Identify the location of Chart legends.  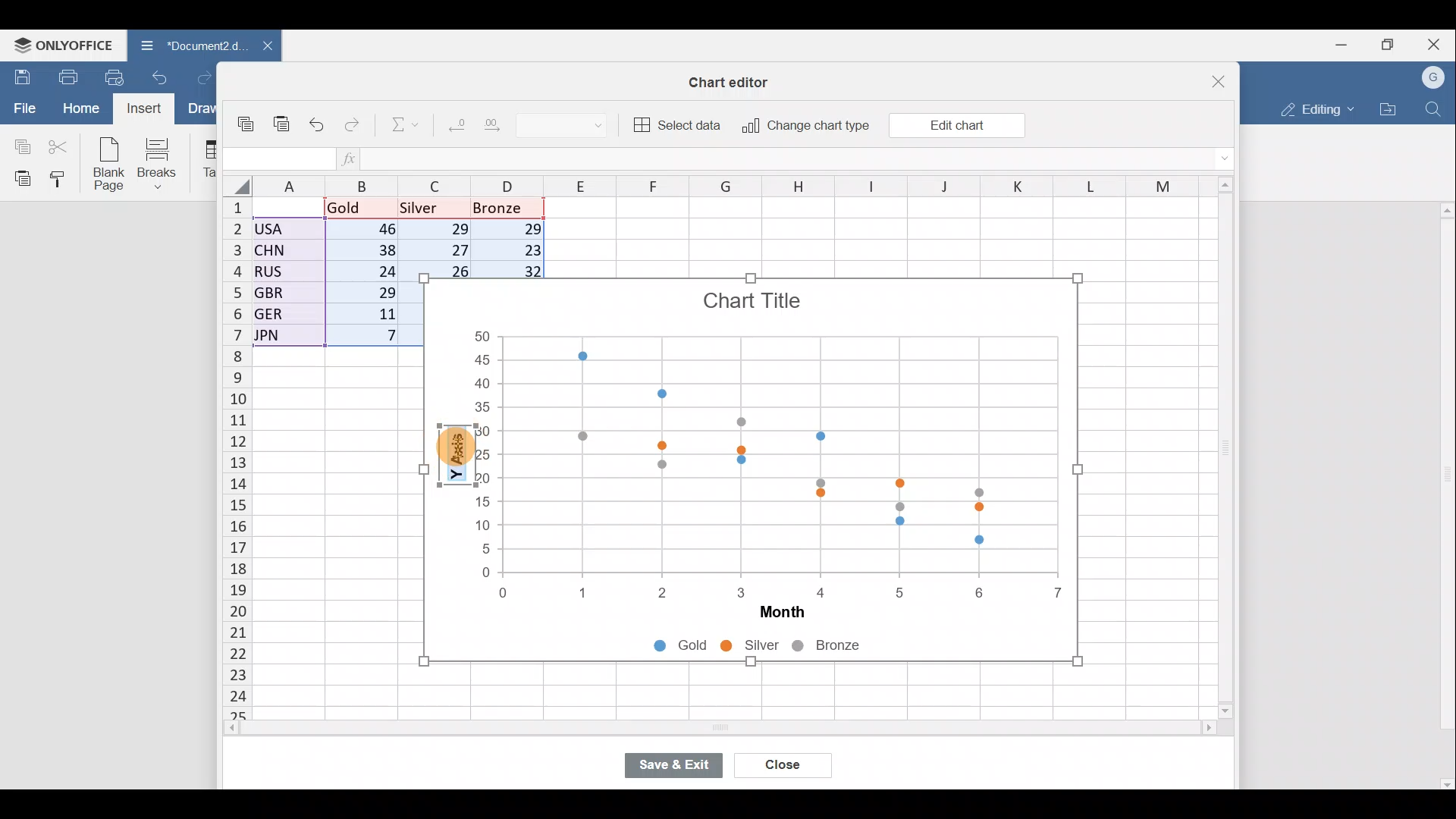
(781, 648).